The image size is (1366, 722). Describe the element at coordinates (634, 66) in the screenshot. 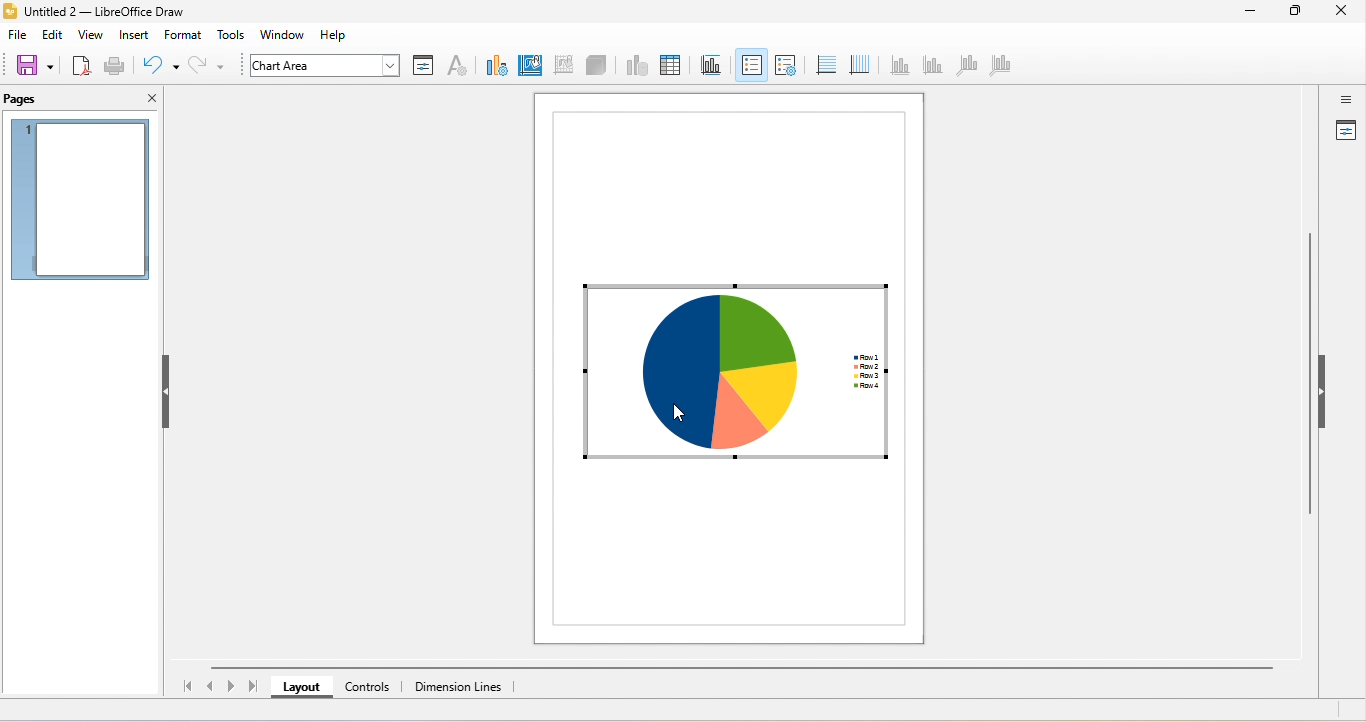

I see `data ranges` at that location.